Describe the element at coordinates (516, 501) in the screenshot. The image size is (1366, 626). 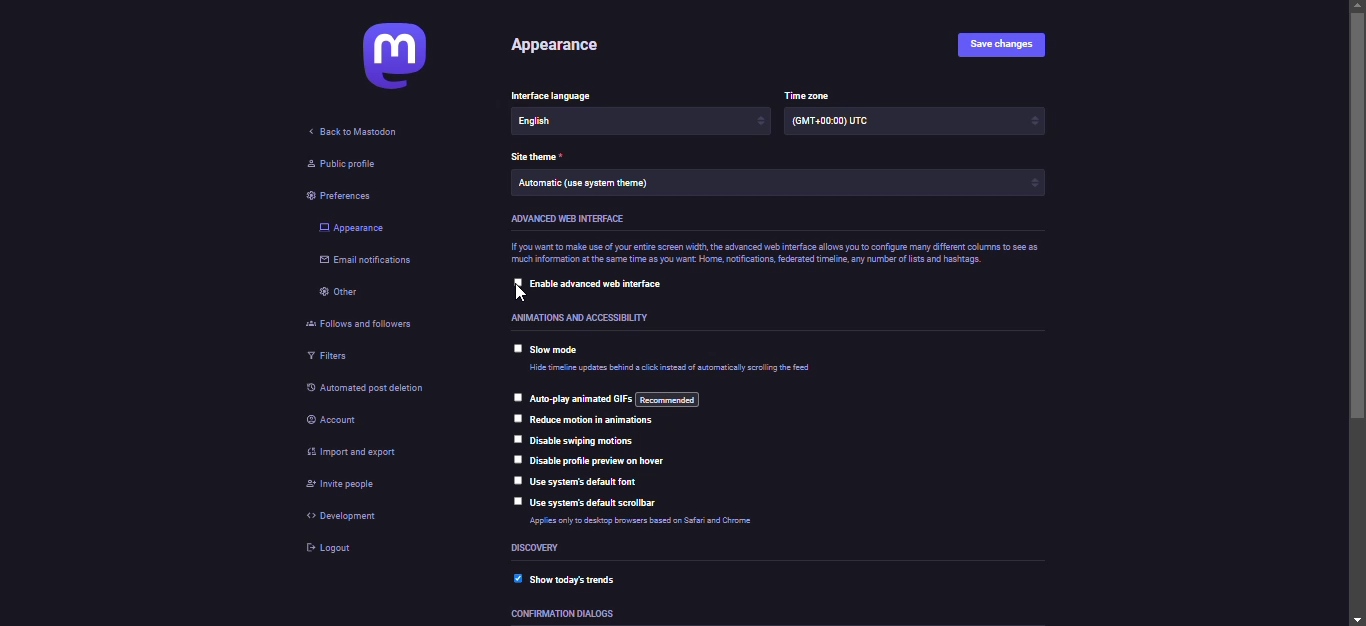
I see `click to select` at that location.